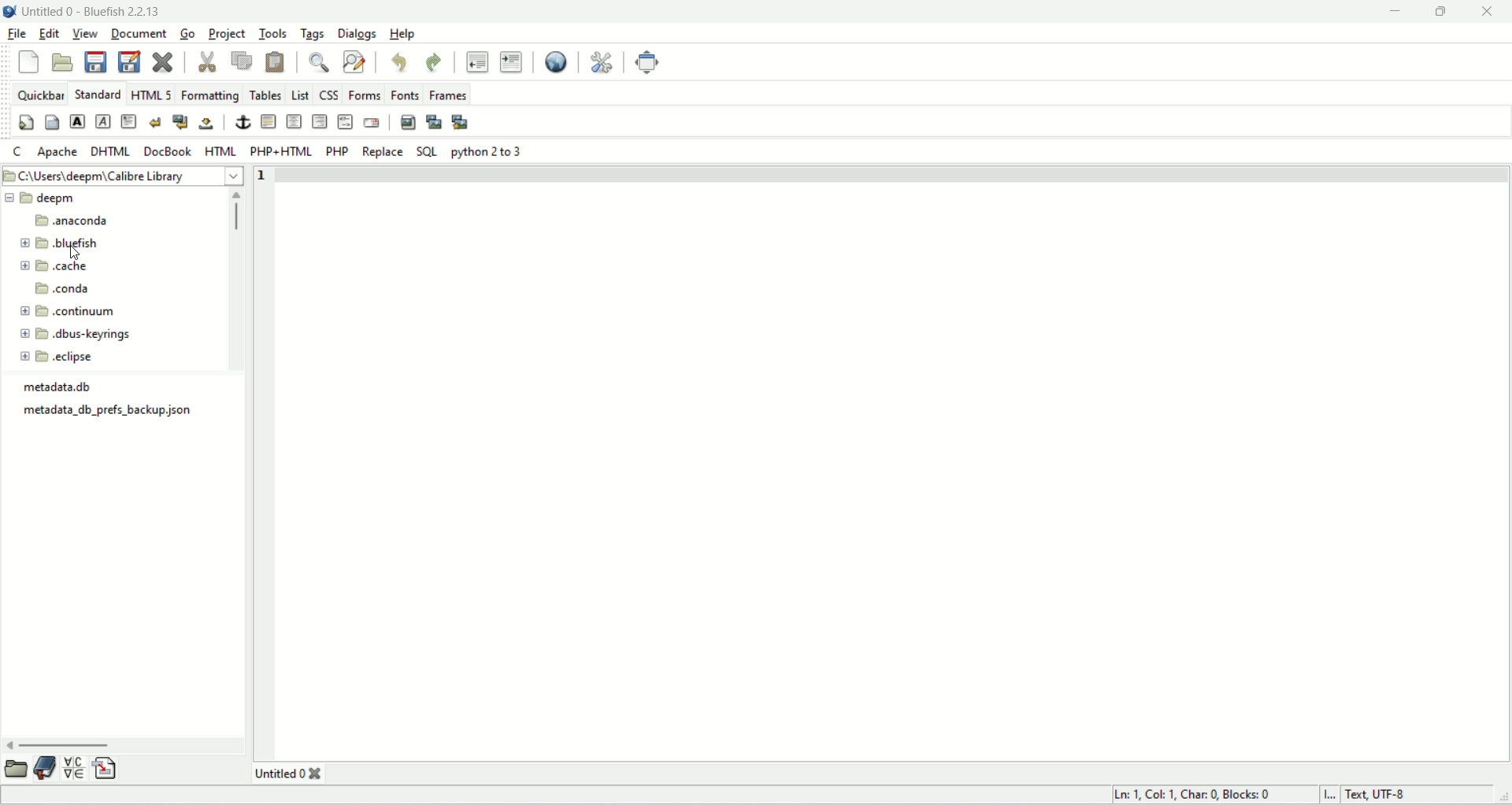 This screenshot has width=1512, height=805. Describe the element at coordinates (74, 767) in the screenshot. I see `insert special character` at that location.